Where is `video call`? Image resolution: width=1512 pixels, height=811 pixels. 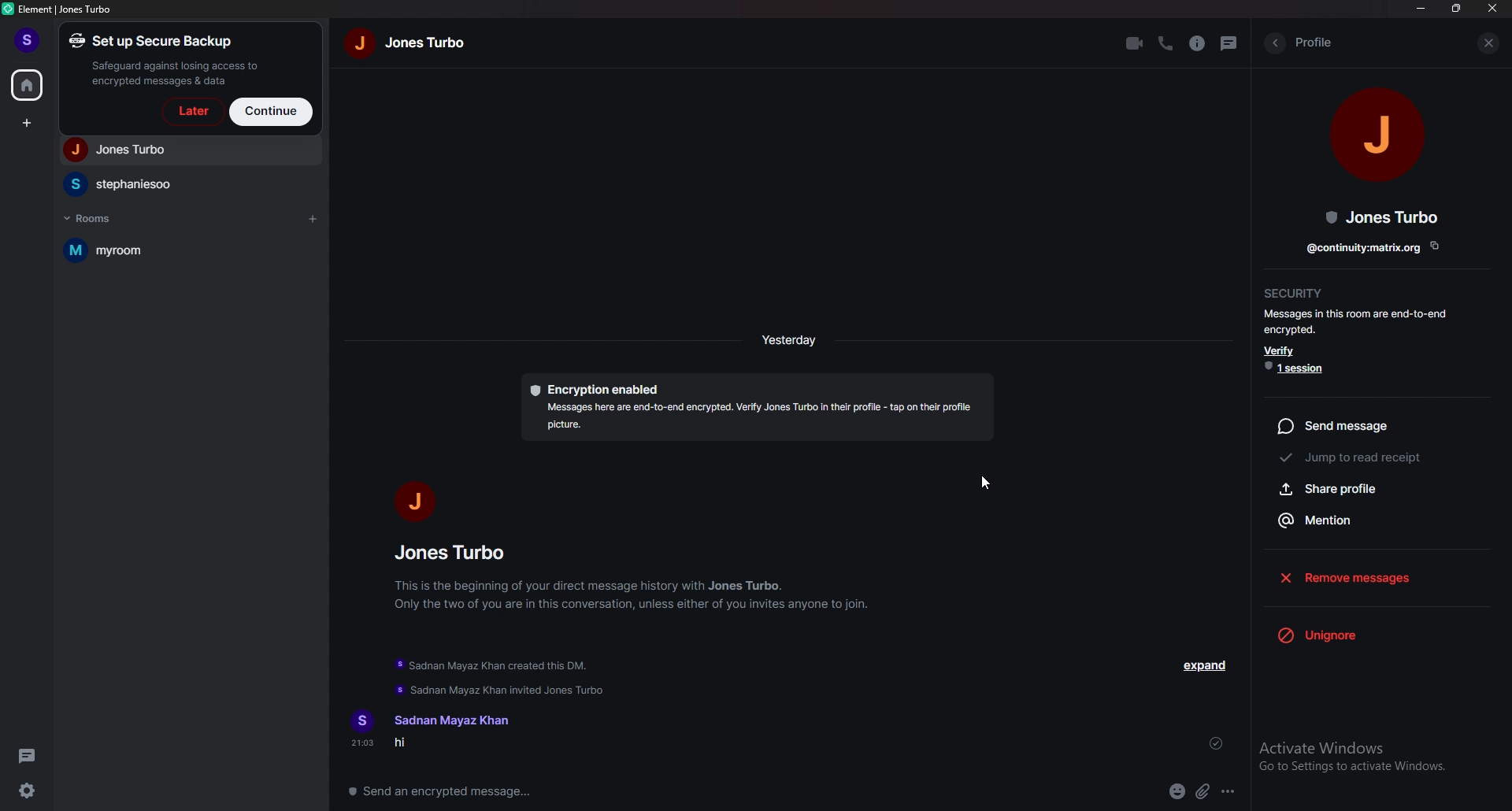 video call is located at coordinates (1133, 43).